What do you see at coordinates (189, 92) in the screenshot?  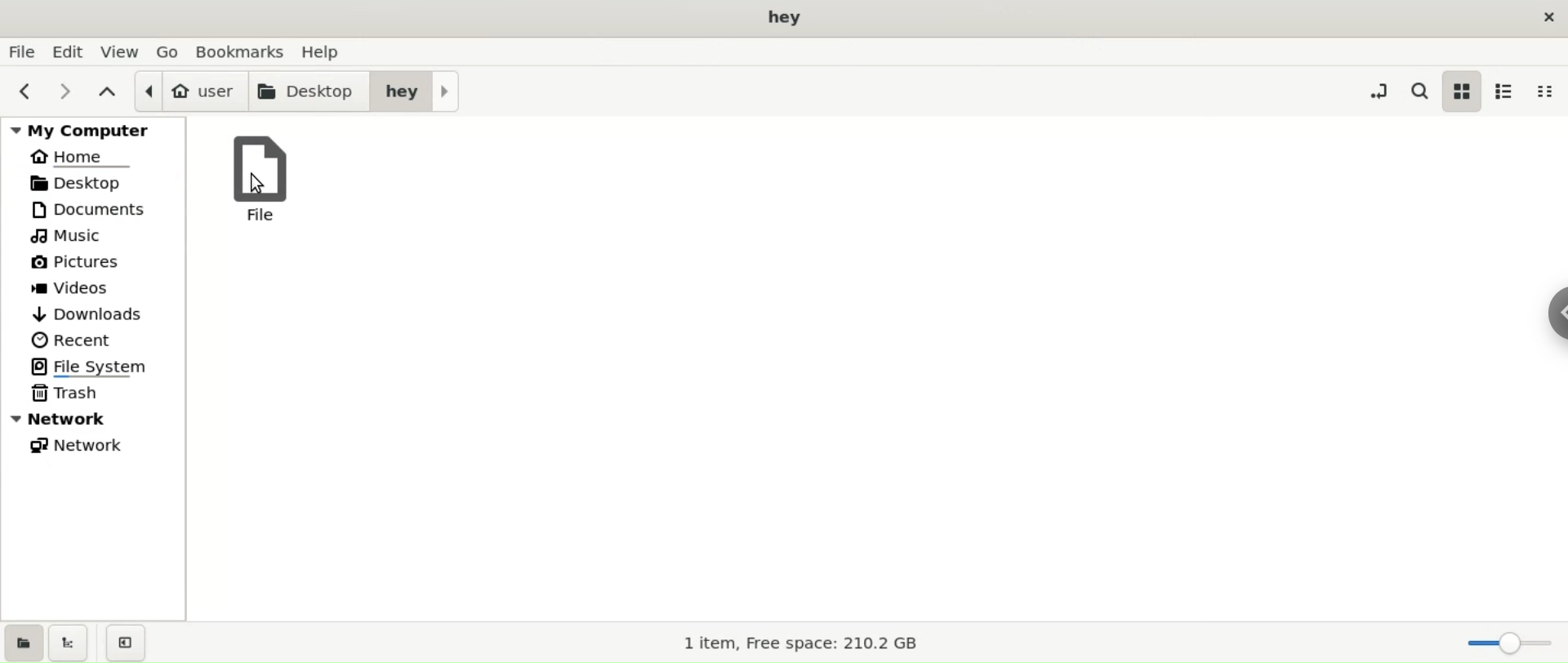 I see `user` at bounding box center [189, 92].